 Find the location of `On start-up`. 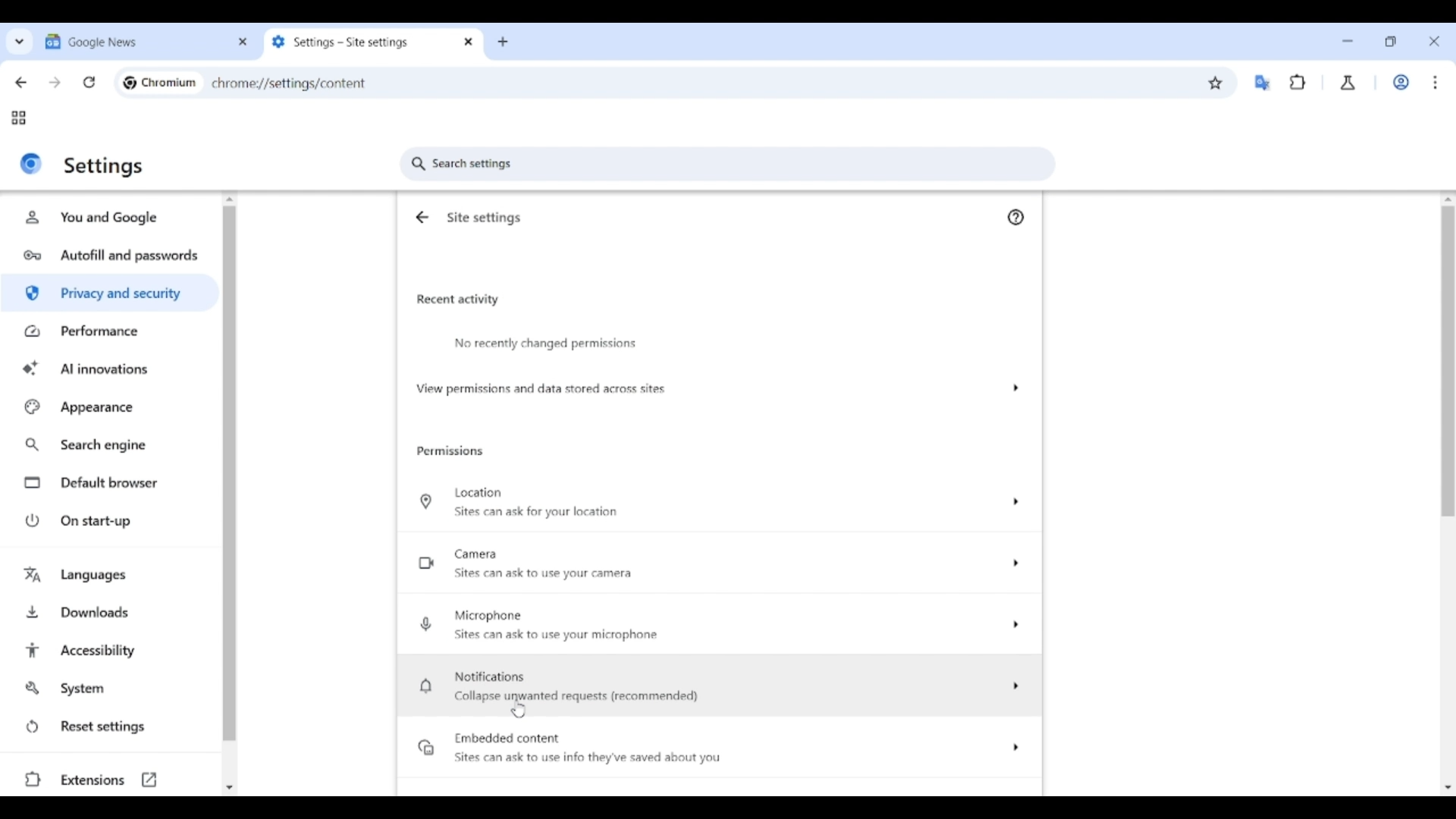

On start-up is located at coordinates (112, 520).